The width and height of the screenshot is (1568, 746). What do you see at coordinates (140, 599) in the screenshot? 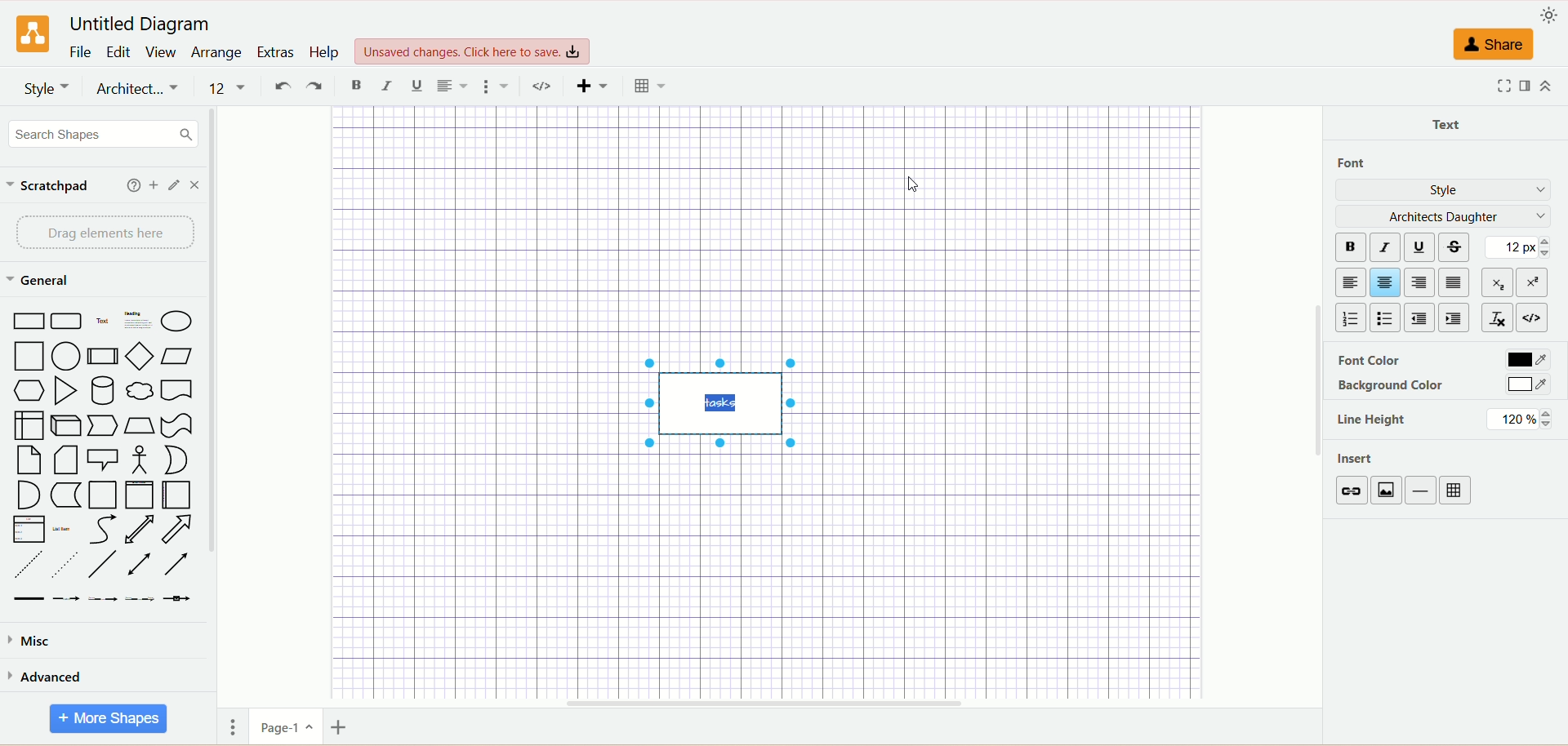
I see `Arrow with Triple Break` at bounding box center [140, 599].